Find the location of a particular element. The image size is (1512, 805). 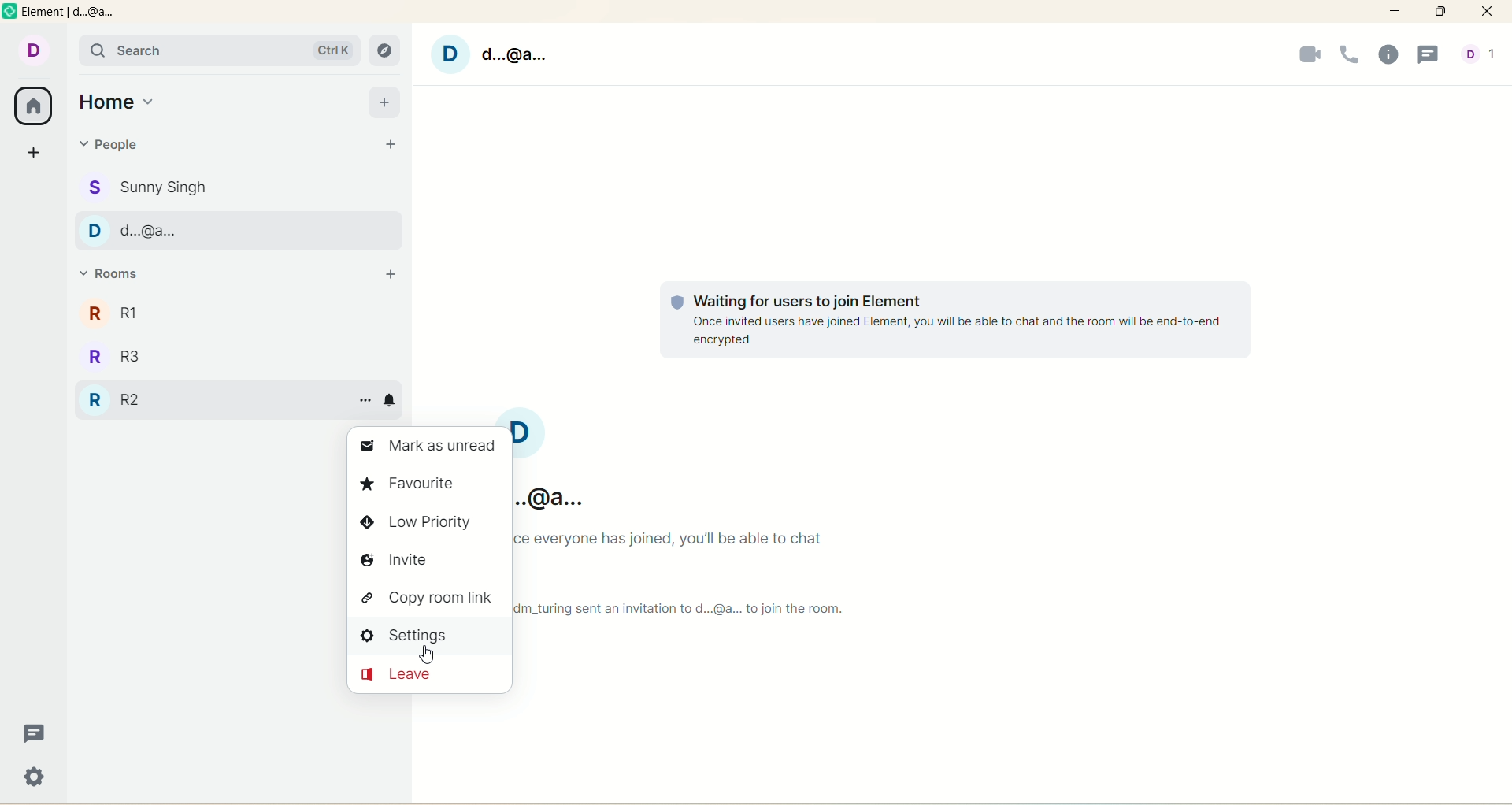

favorite is located at coordinates (422, 484).